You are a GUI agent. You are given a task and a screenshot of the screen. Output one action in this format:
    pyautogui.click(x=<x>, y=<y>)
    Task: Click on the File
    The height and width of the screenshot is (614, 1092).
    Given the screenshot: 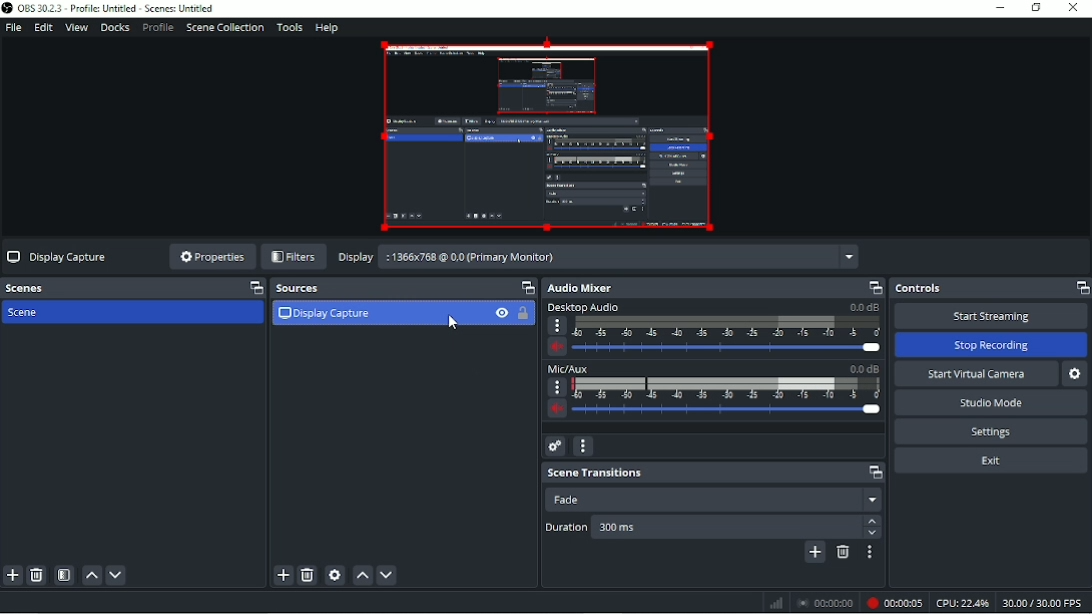 What is the action you would take?
    pyautogui.click(x=15, y=27)
    